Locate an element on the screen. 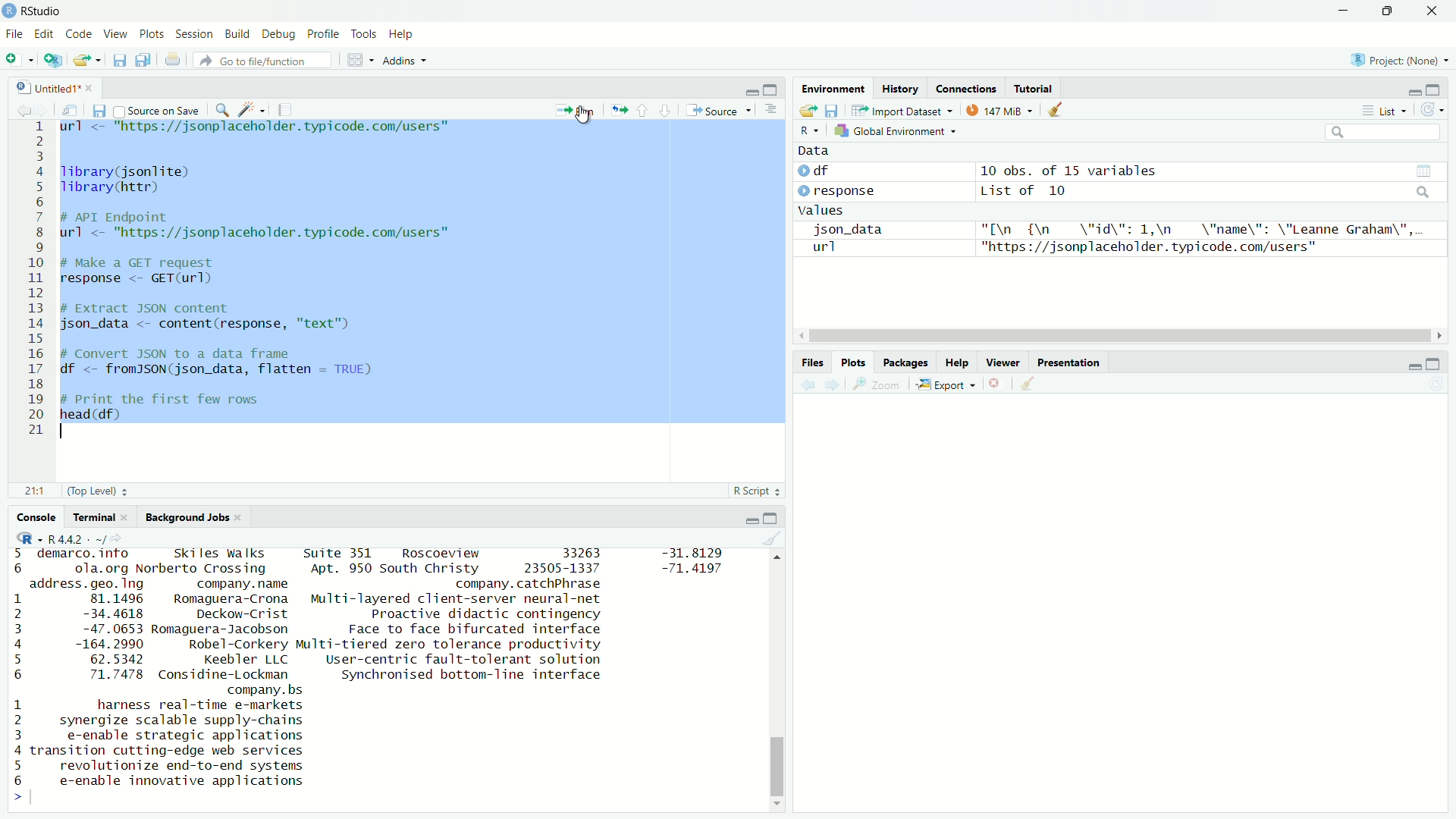 Image resolution: width=1456 pixels, height=819 pixels. Search is located at coordinates (1384, 134).